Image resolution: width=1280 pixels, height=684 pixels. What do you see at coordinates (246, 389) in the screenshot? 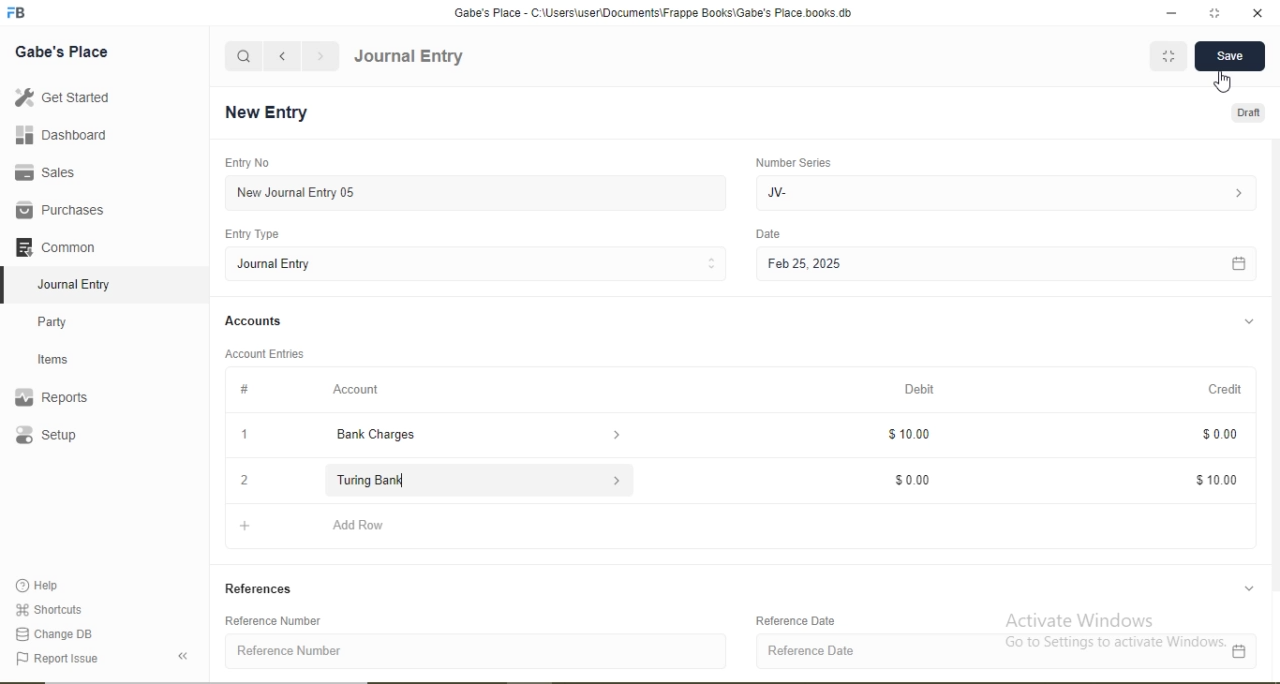
I see `#` at bounding box center [246, 389].